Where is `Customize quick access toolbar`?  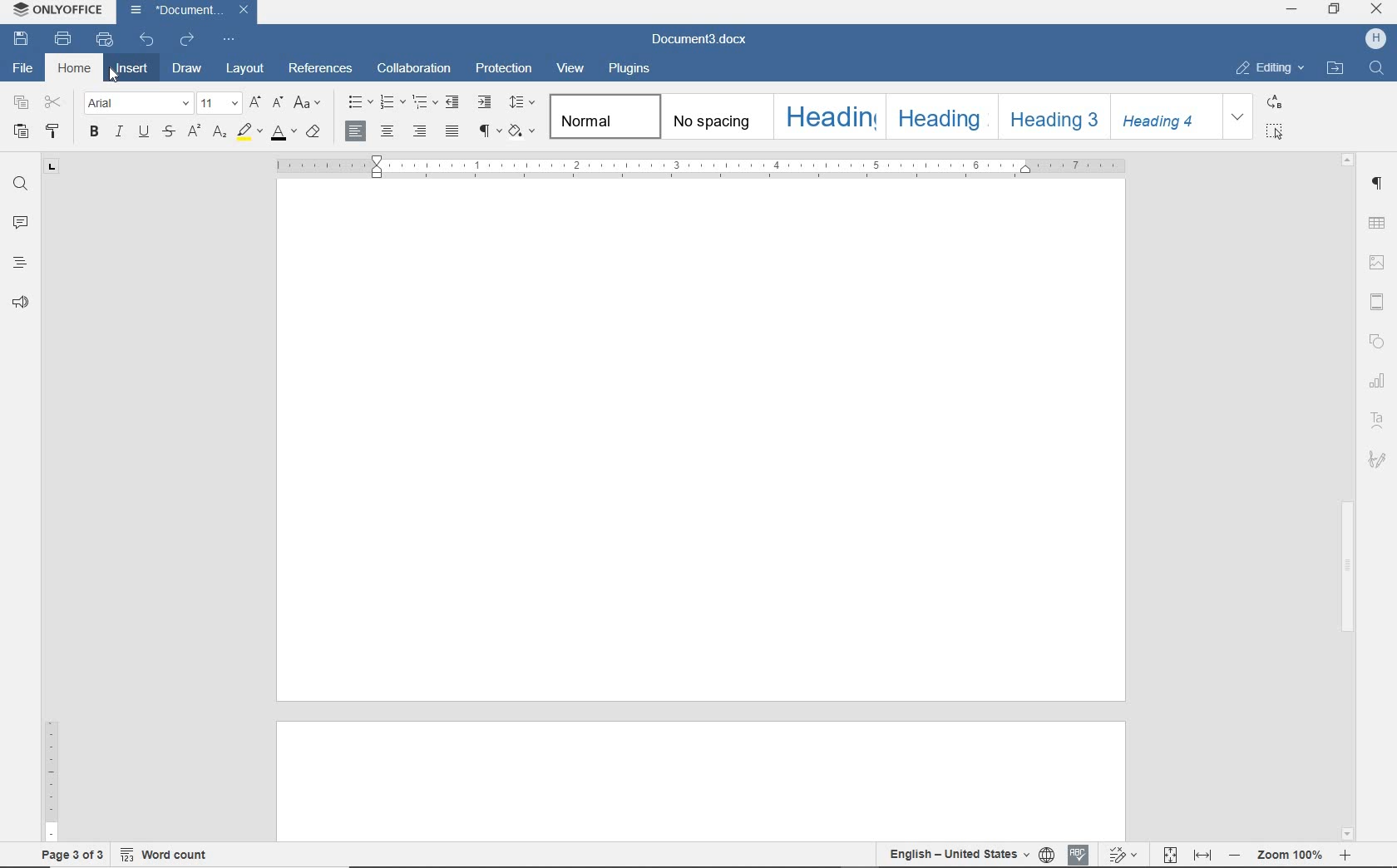 Customize quick access toolbar is located at coordinates (233, 37).